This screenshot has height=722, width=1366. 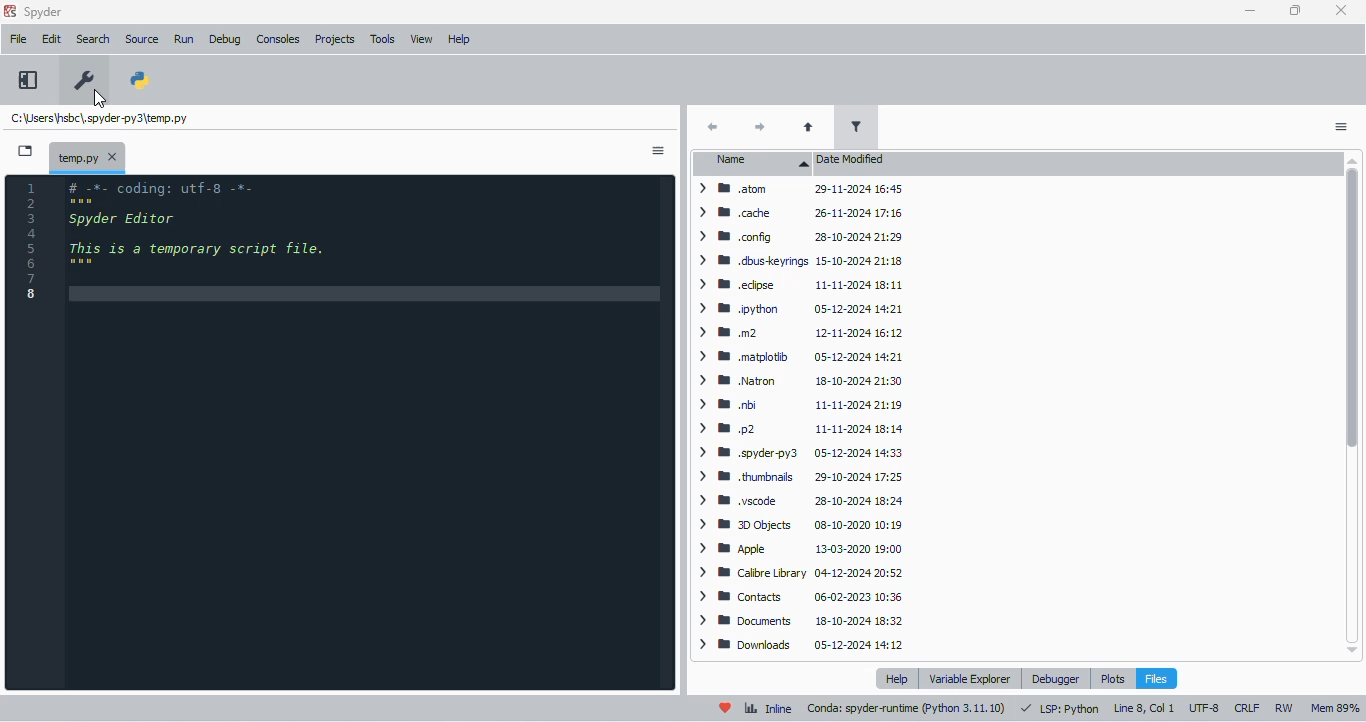 I want to click on temporary file, so click(x=75, y=158).